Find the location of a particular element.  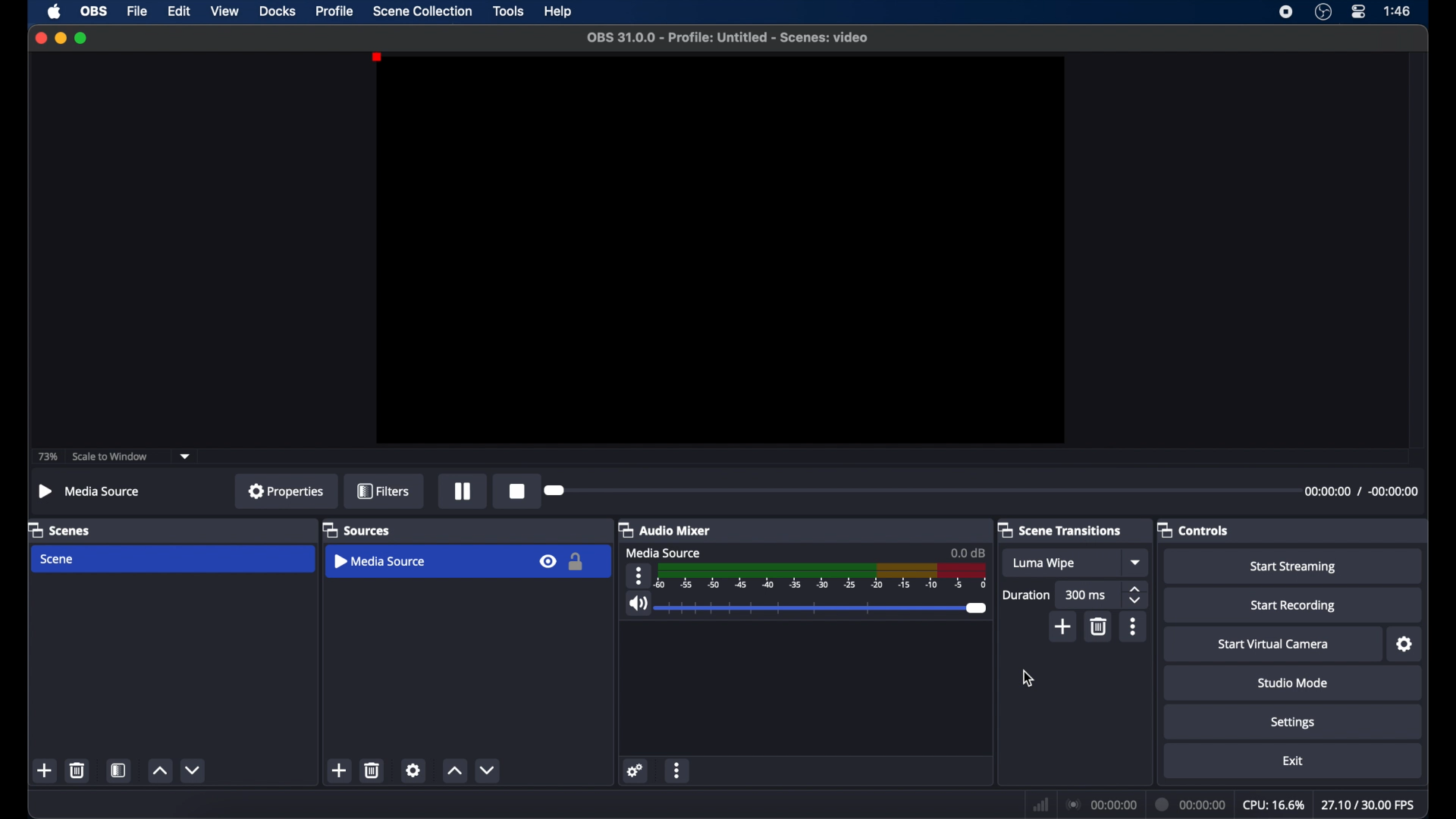

pause is located at coordinates (464, 493).